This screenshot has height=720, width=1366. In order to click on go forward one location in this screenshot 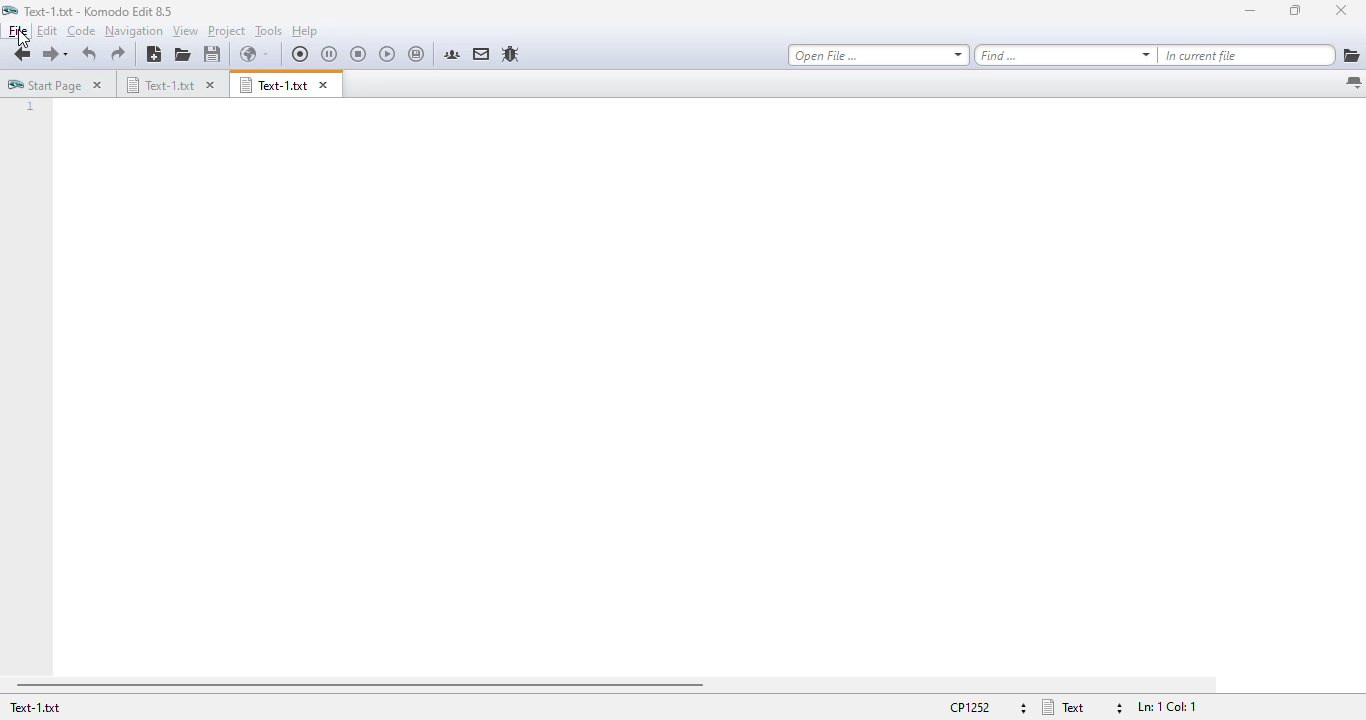, I will do `click(49, 56)`.